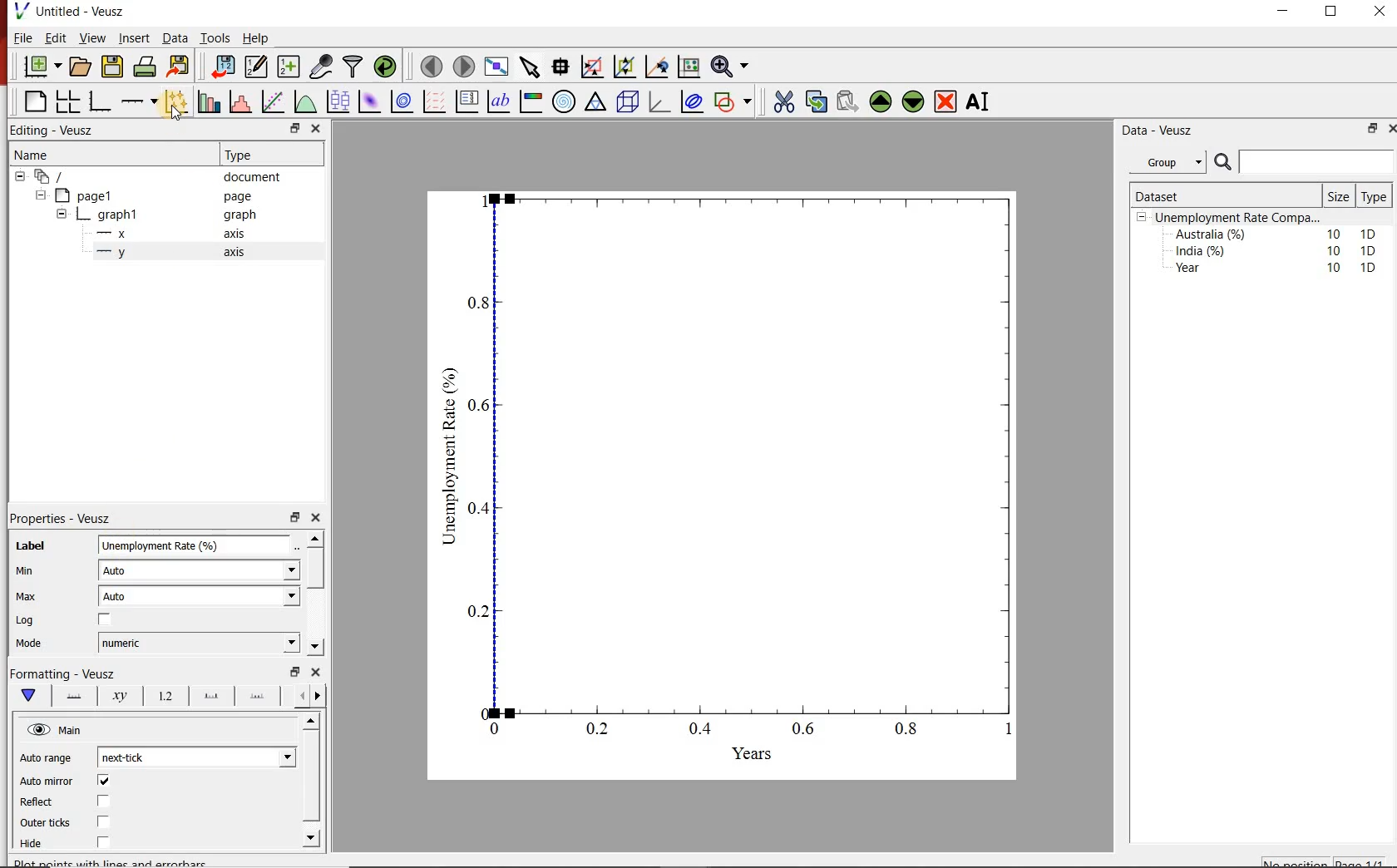 The image size is (1397, 868). Describe the element at coordinates (981, 101) in the screenshot. I see `rename the widgets` at that location.